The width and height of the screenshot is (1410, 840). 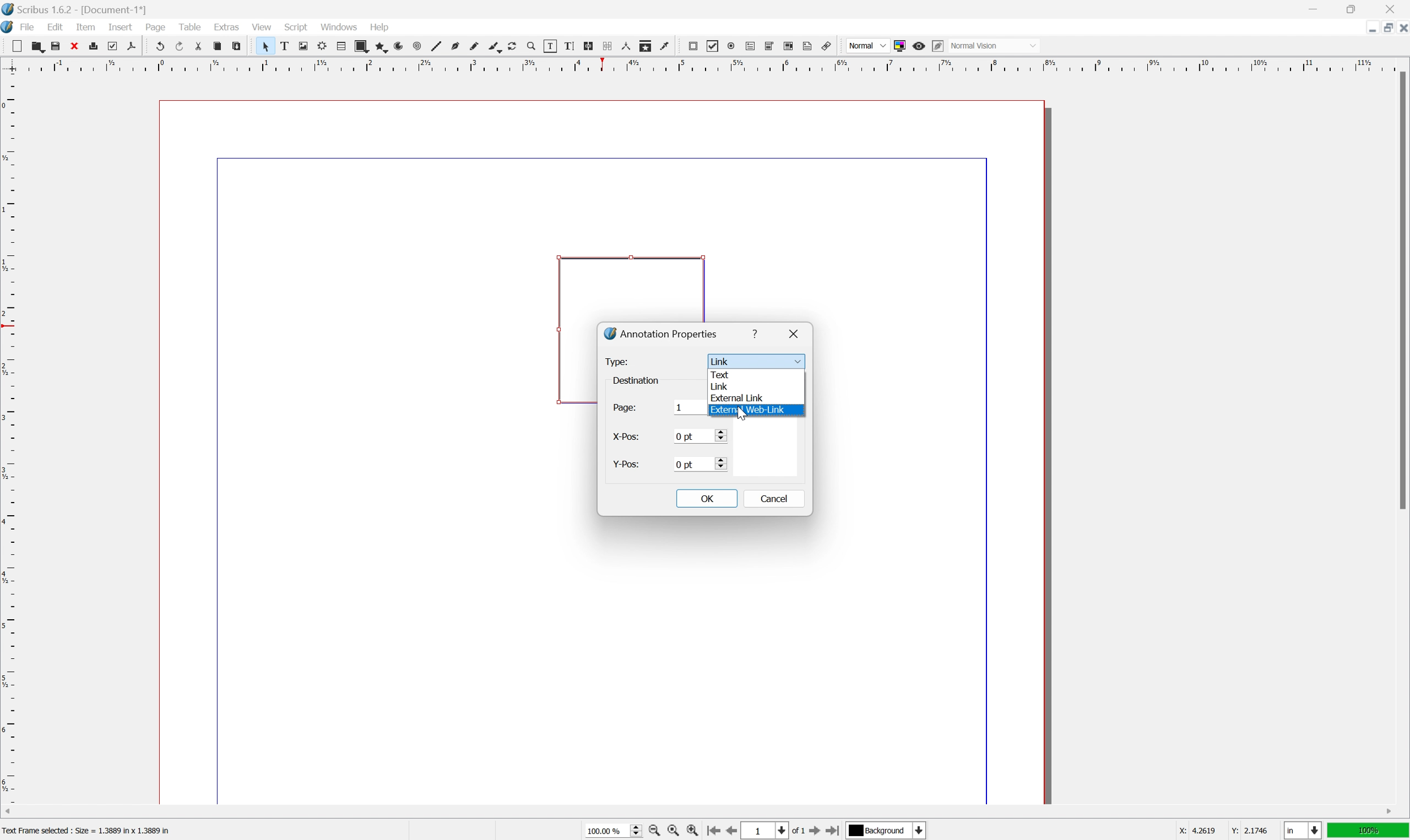 I want to click on text annotation, so click(x=808, y=45).